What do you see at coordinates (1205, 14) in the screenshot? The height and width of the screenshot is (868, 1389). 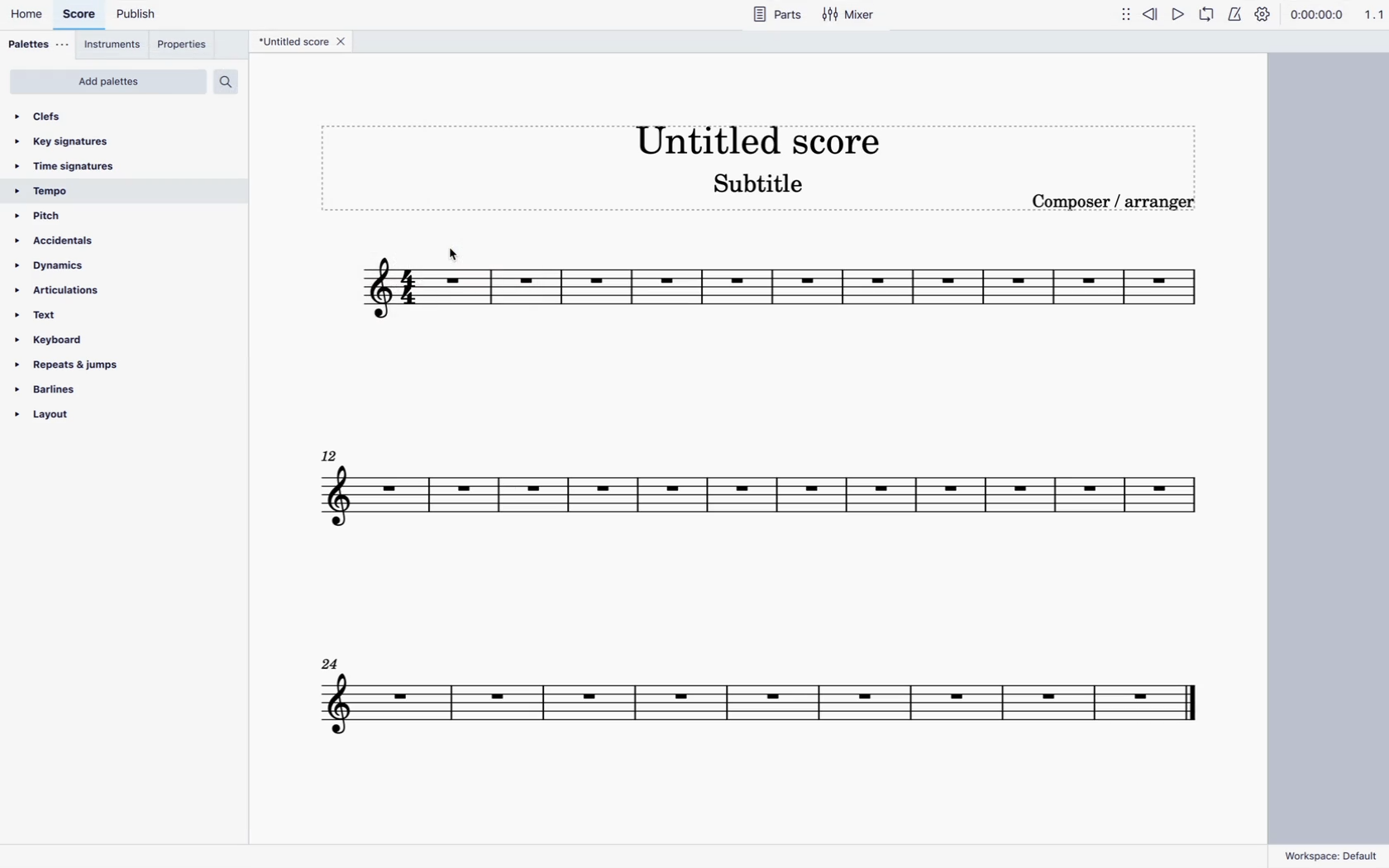 I see `playback loop` at bounding box center [1205, 14].